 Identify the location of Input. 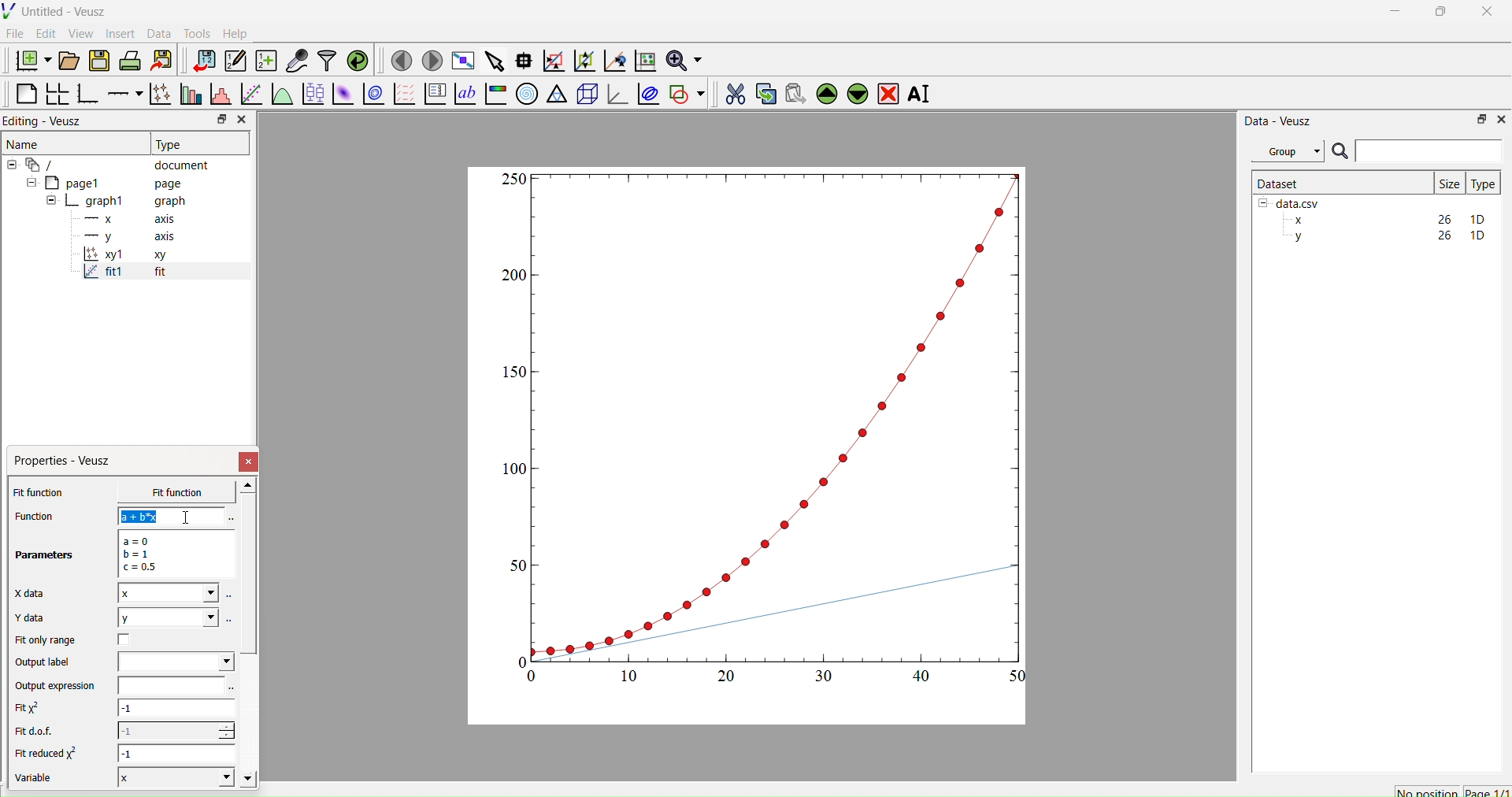
(1429, 150).